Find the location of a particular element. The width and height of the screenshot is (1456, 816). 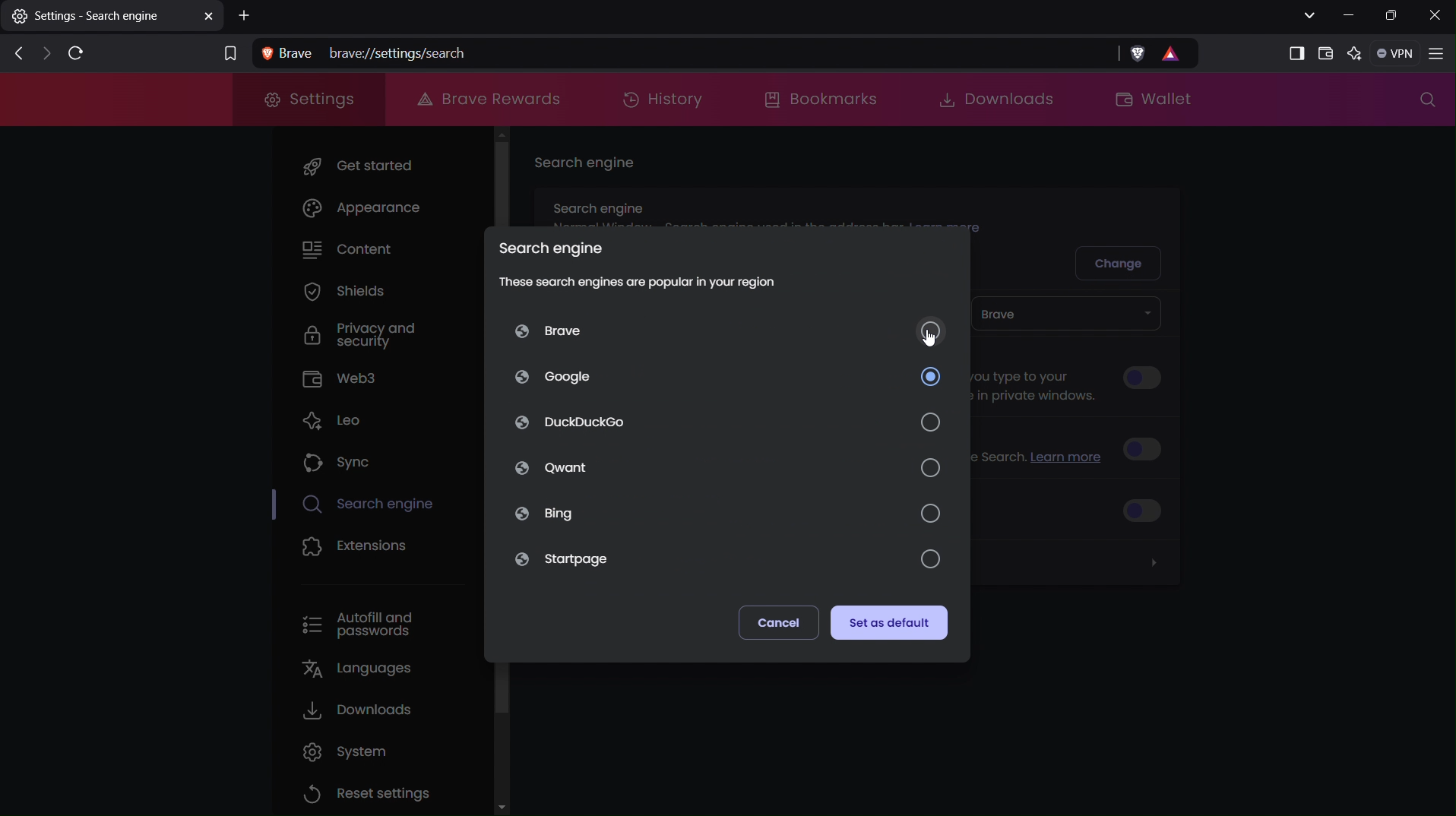

Close is located at coordinates (1435, 15).